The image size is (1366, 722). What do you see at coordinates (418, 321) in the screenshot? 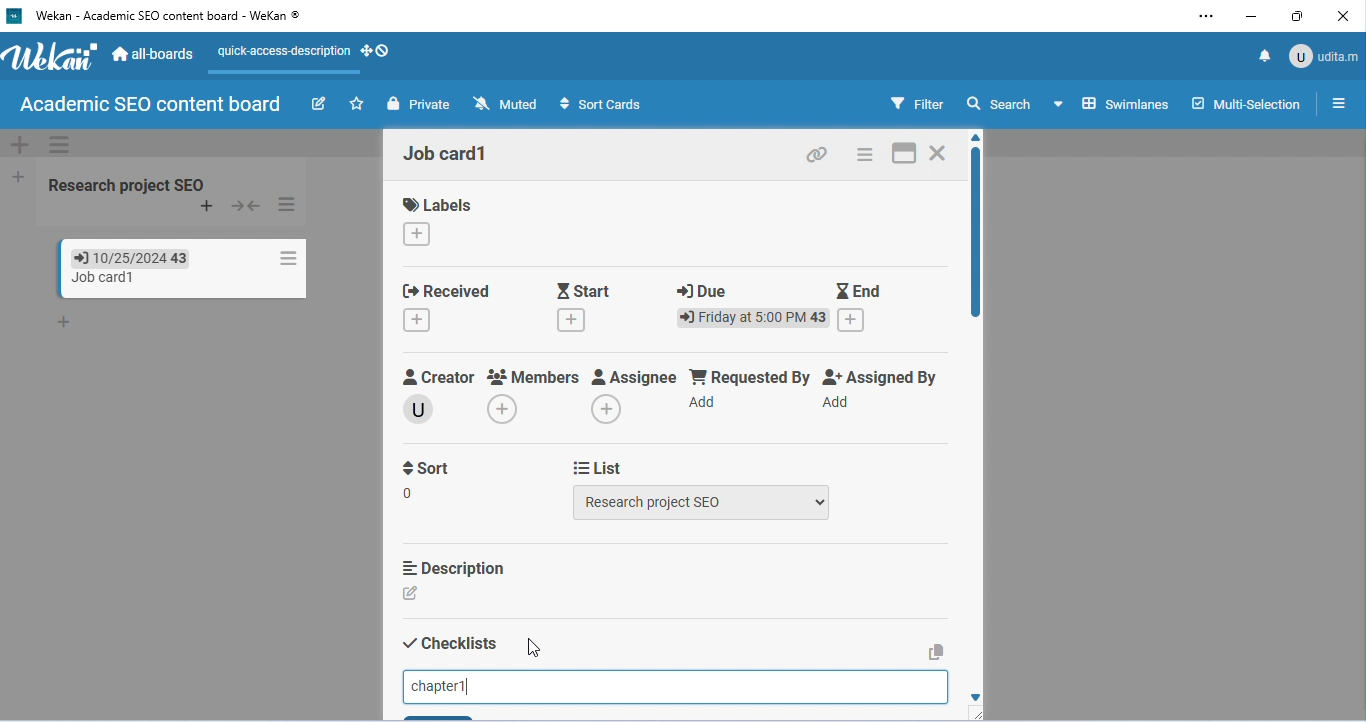
I see `add received date` at bounding box center [418, 321].